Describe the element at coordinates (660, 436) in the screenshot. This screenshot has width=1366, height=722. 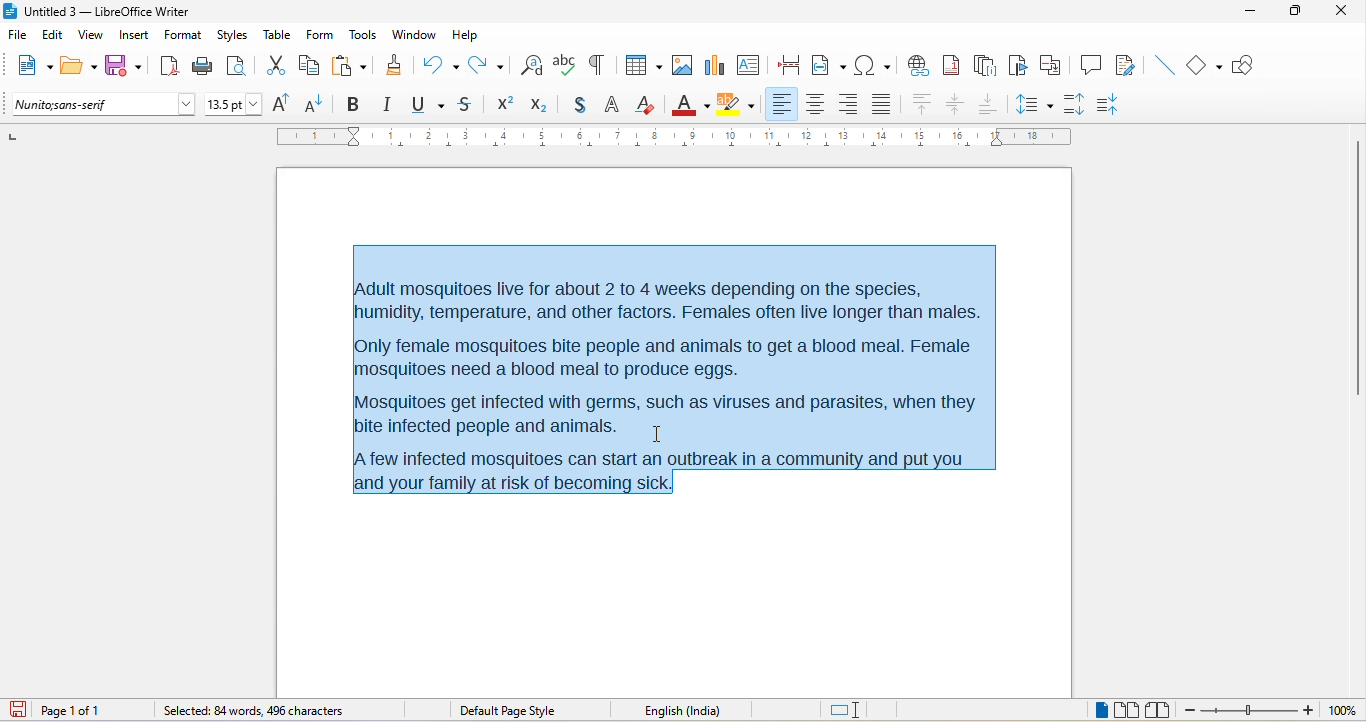
I see `cursor movement` at that location.